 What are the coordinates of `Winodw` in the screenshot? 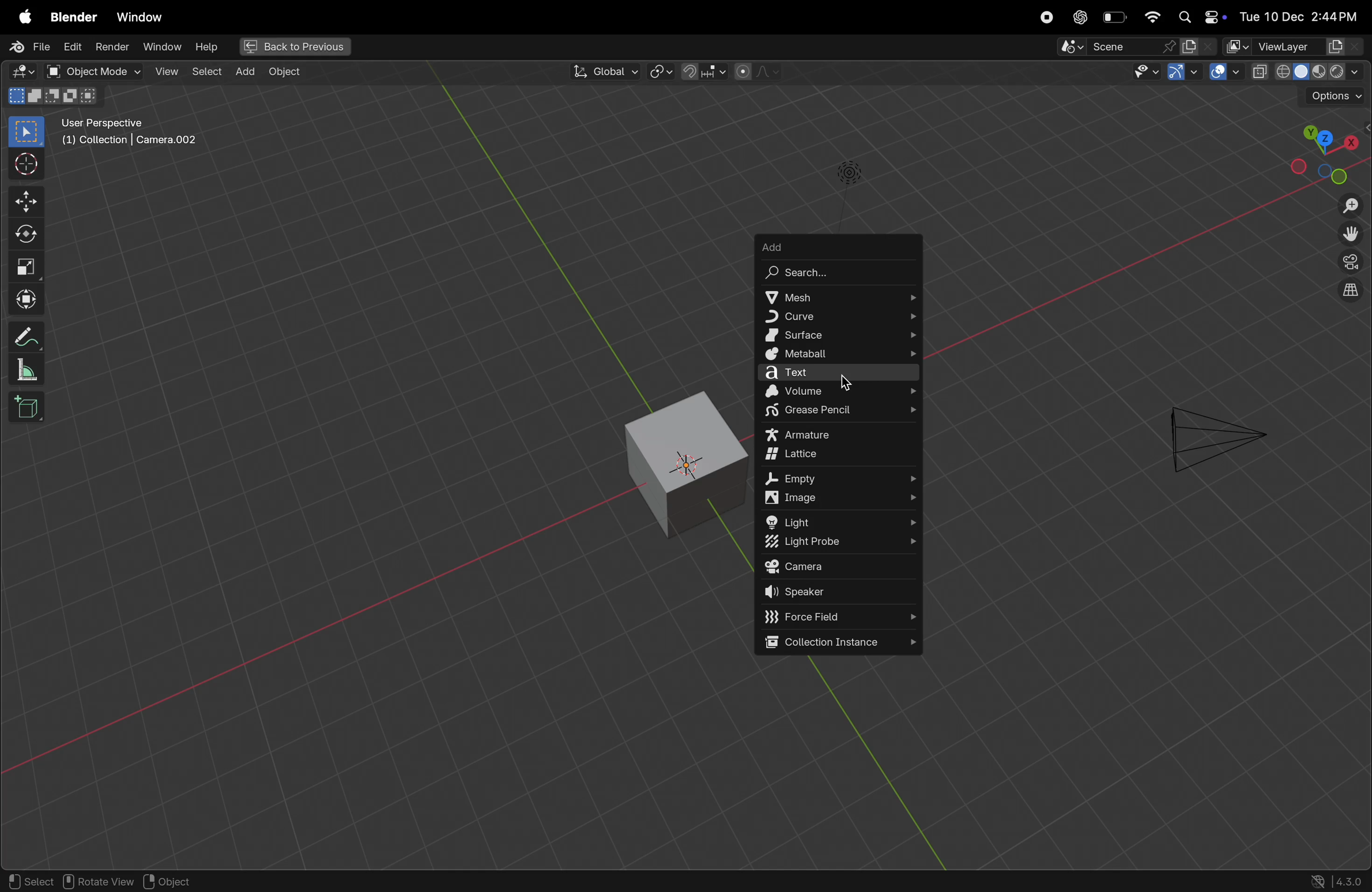 It's located at (165, 48).